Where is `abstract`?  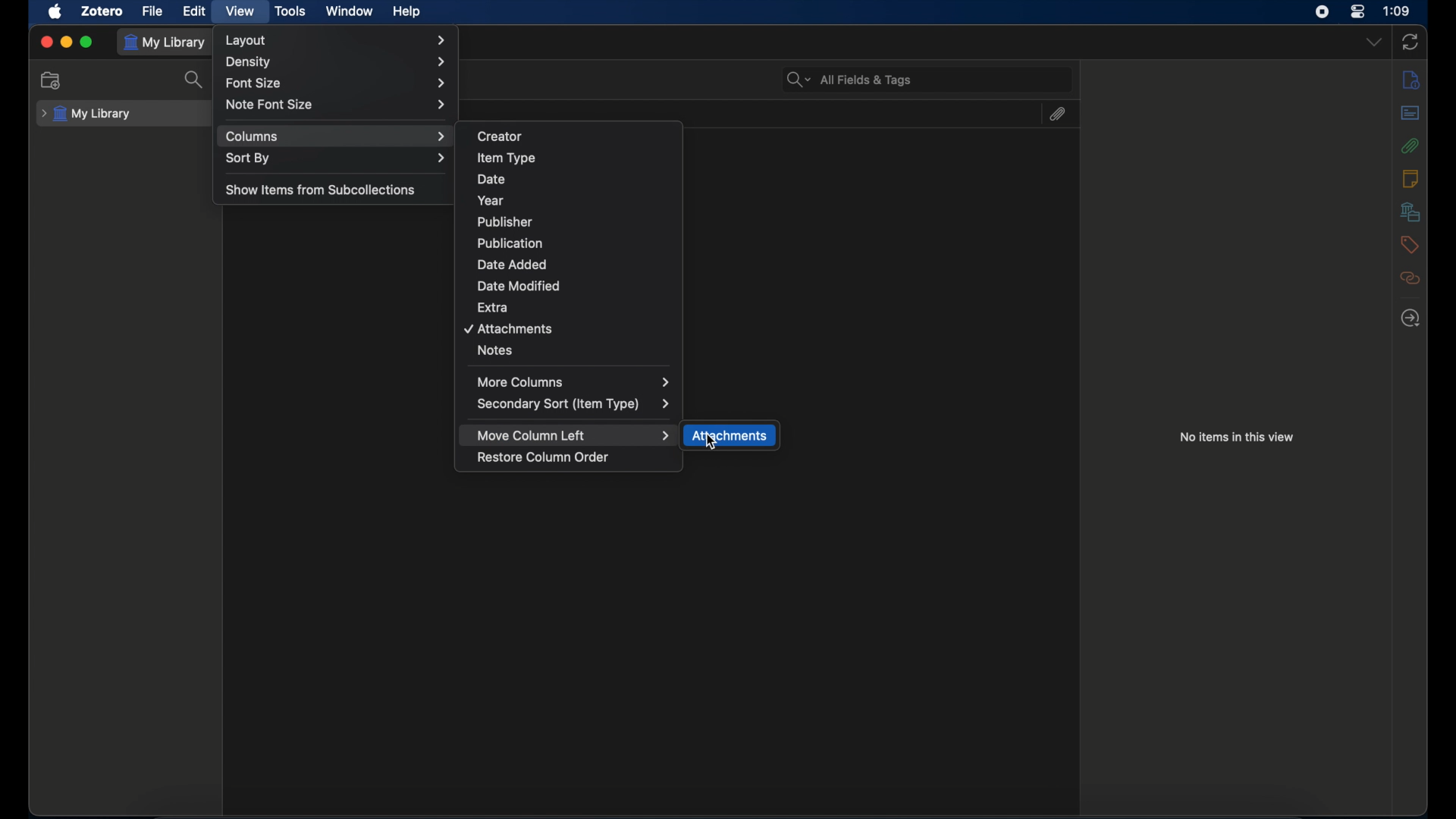 abstract is located at coordinates (1411, 113).